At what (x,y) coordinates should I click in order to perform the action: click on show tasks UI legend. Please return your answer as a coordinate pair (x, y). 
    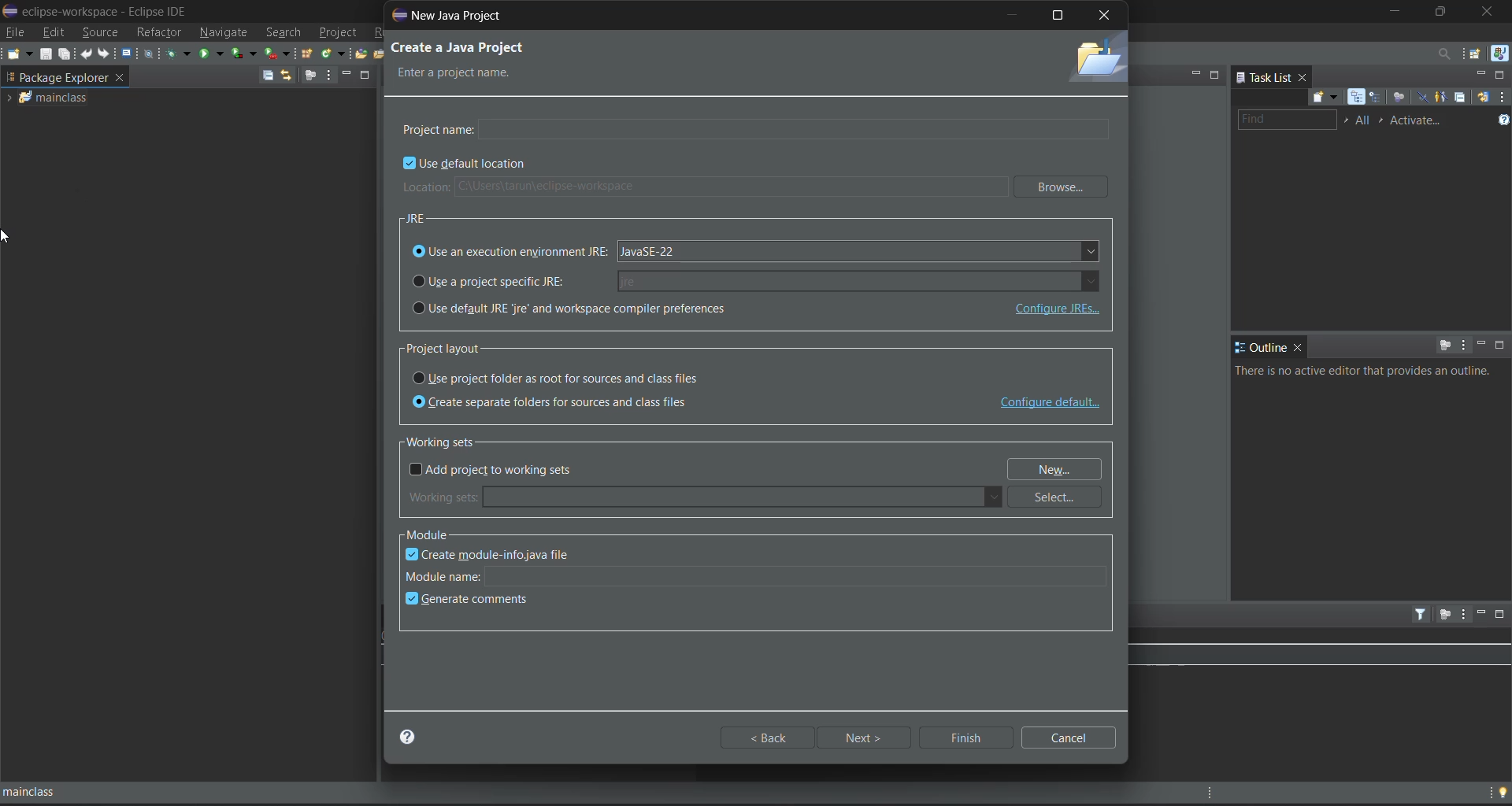
    Looking at the image, I should click on (1503, 120).